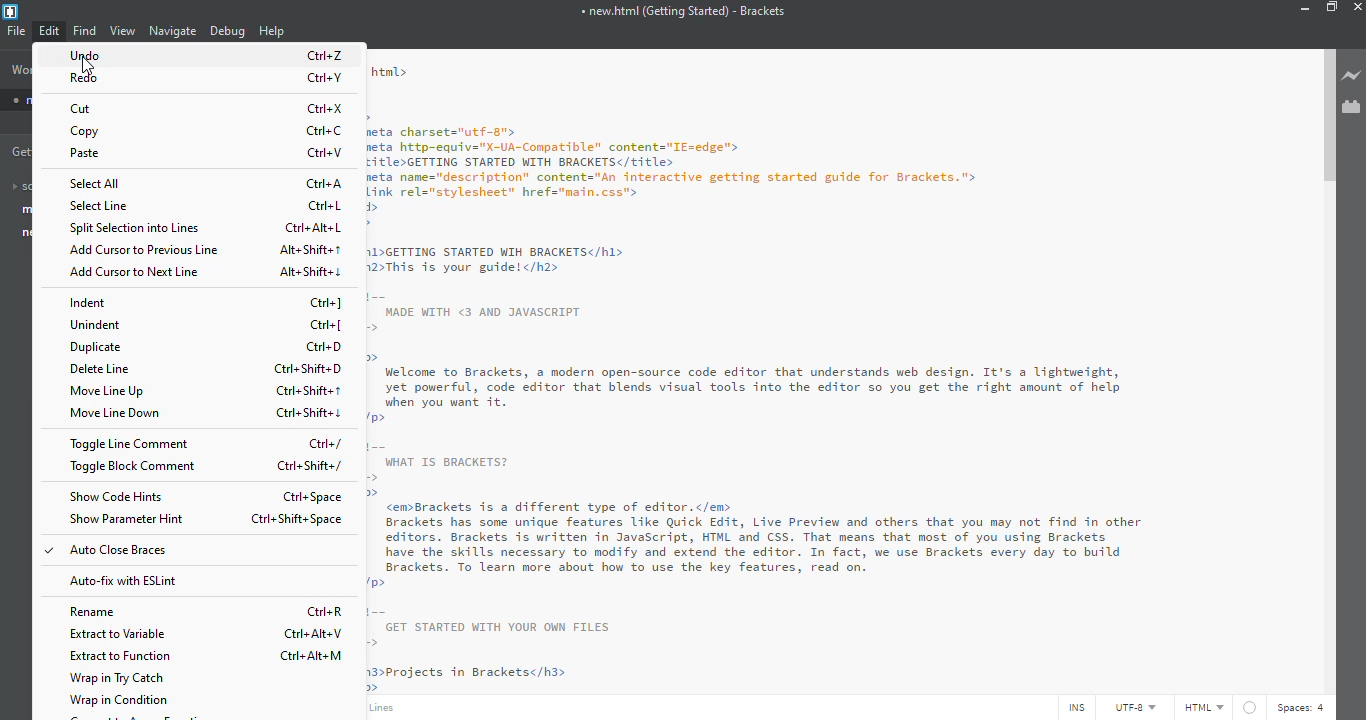  I want to click on minimize, so click(1301, 7).